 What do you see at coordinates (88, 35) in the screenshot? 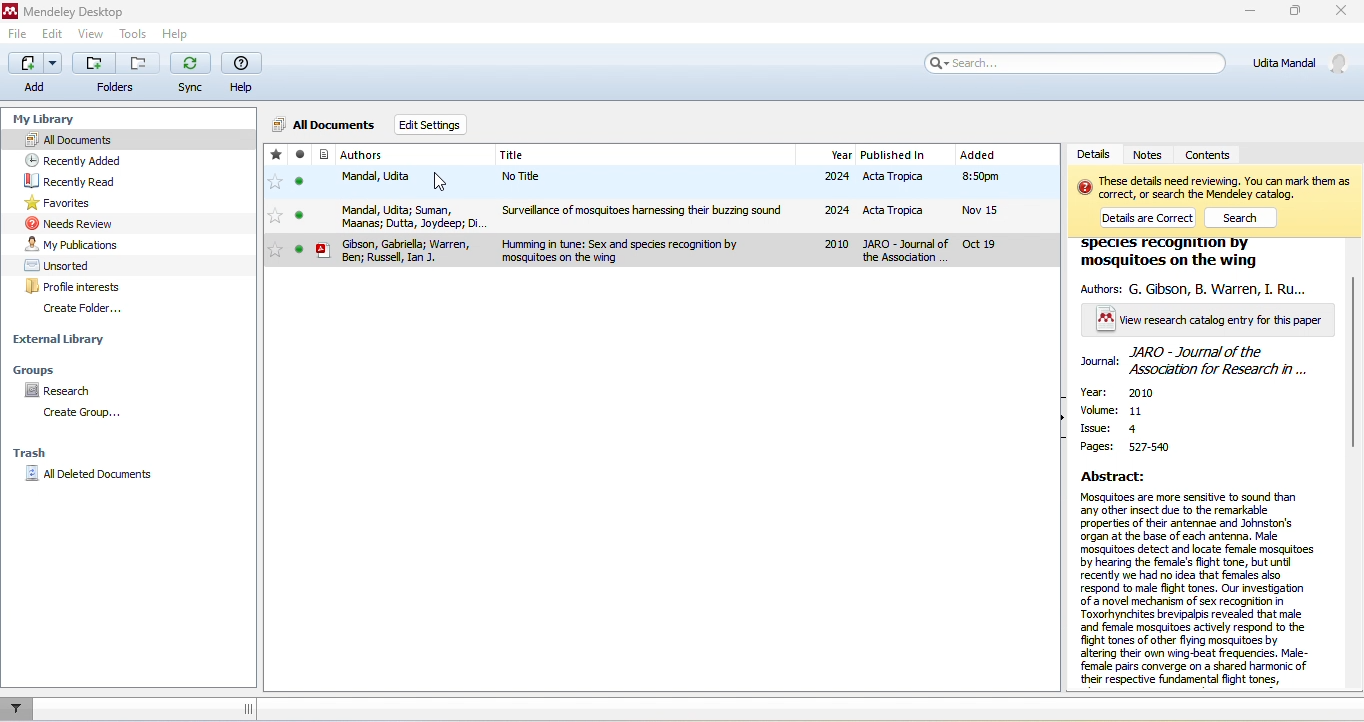
I see `view` at bounding box center [88, 35].